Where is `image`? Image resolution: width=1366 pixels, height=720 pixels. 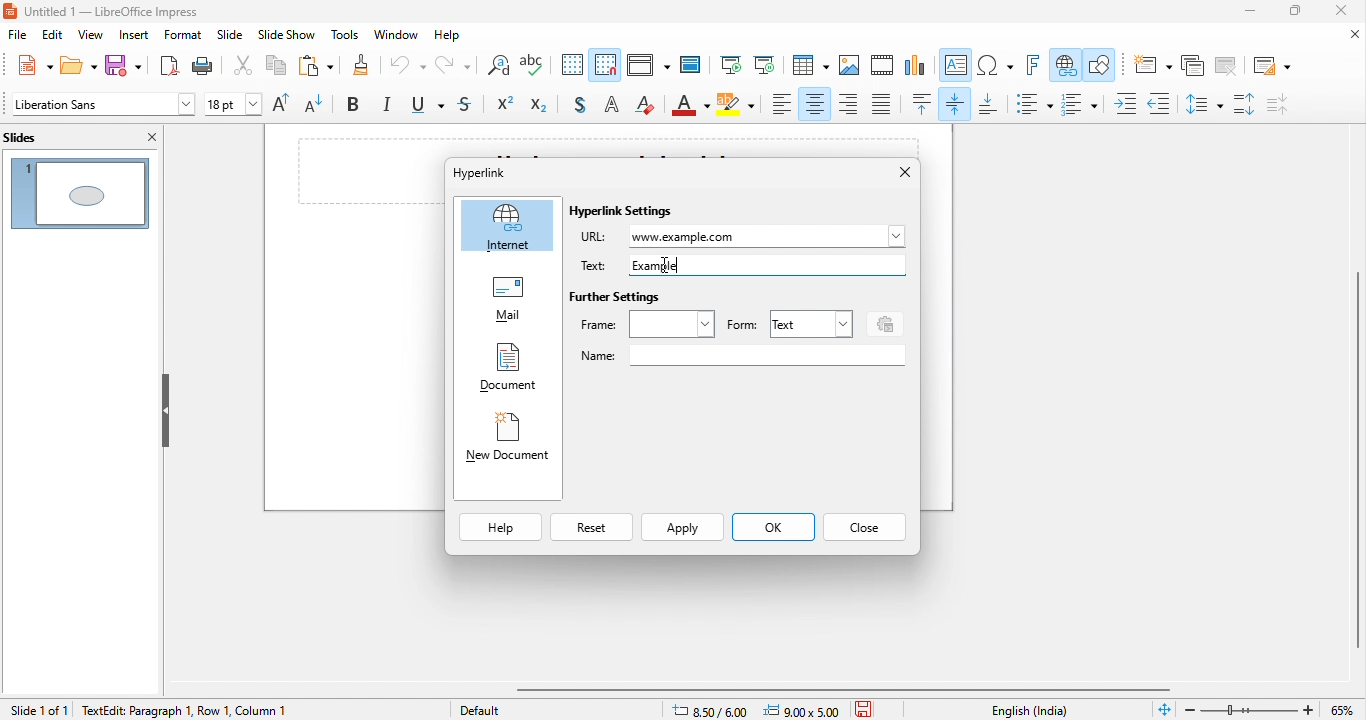 image is located at coordinates (850, 66).